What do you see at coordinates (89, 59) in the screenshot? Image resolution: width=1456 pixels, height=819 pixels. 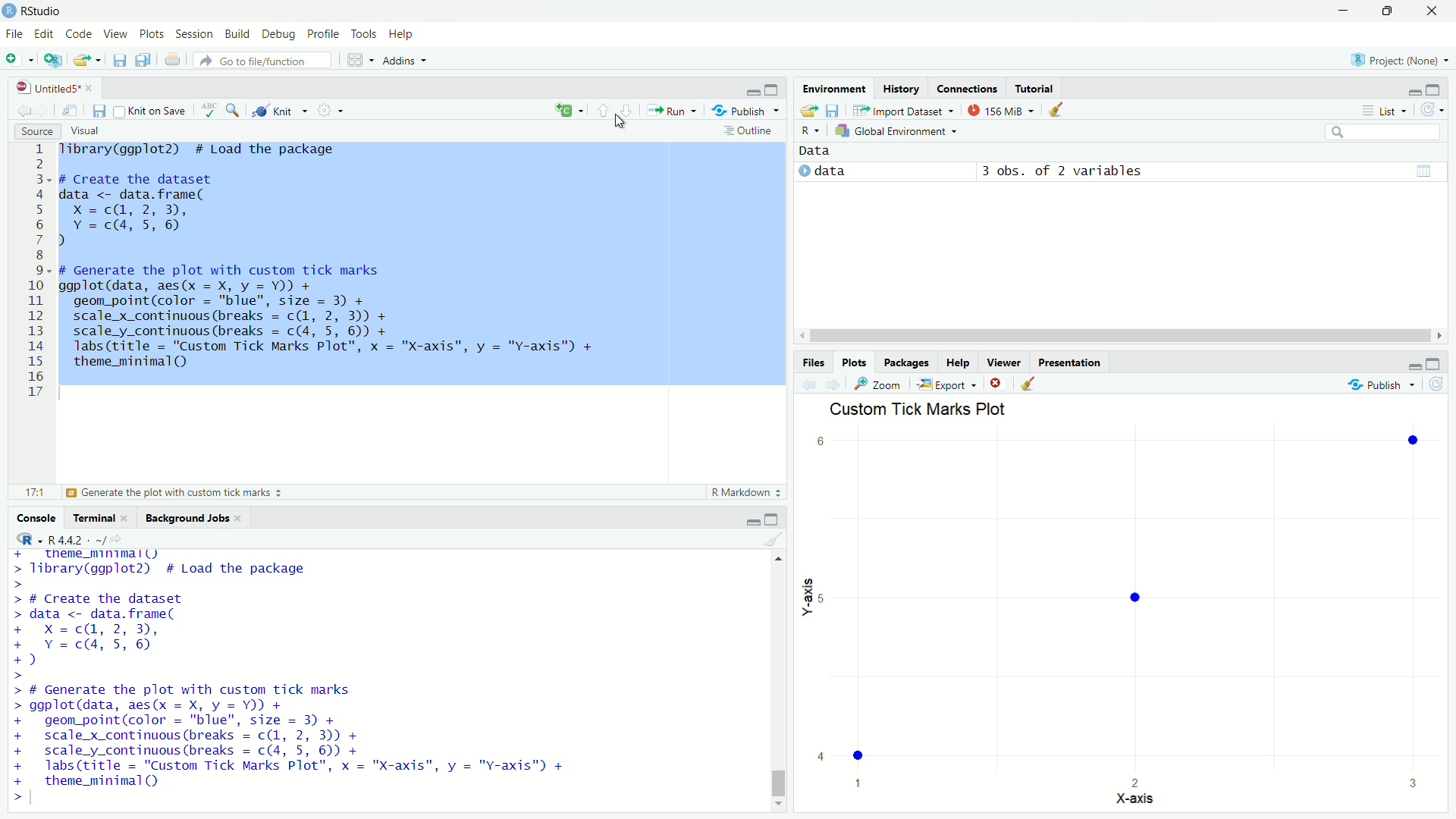 I see `open an existing file` at bounding box center [89, 59].